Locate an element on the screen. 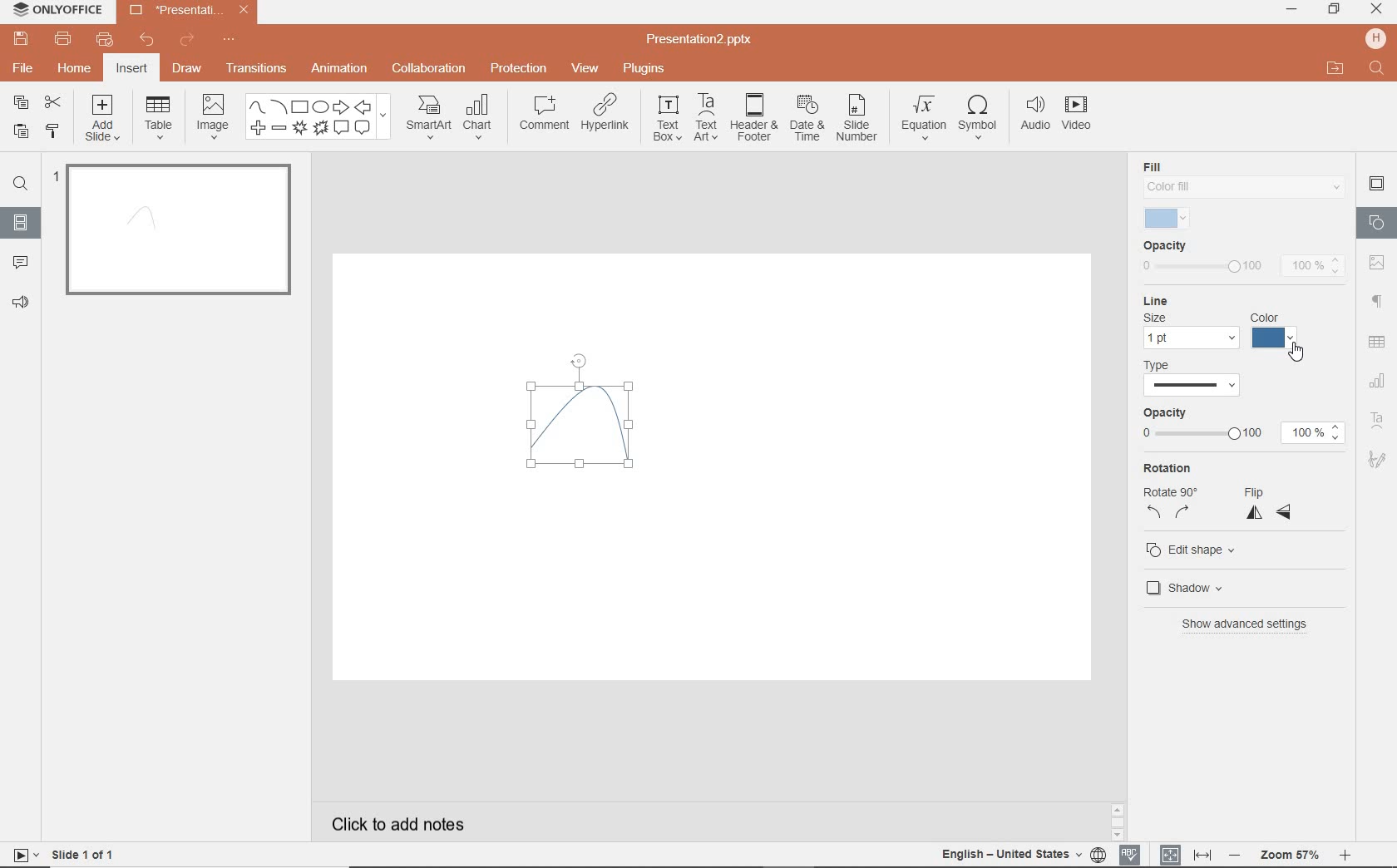  FEEDBACK & SUPPORT is located at coordinates (20, 303).